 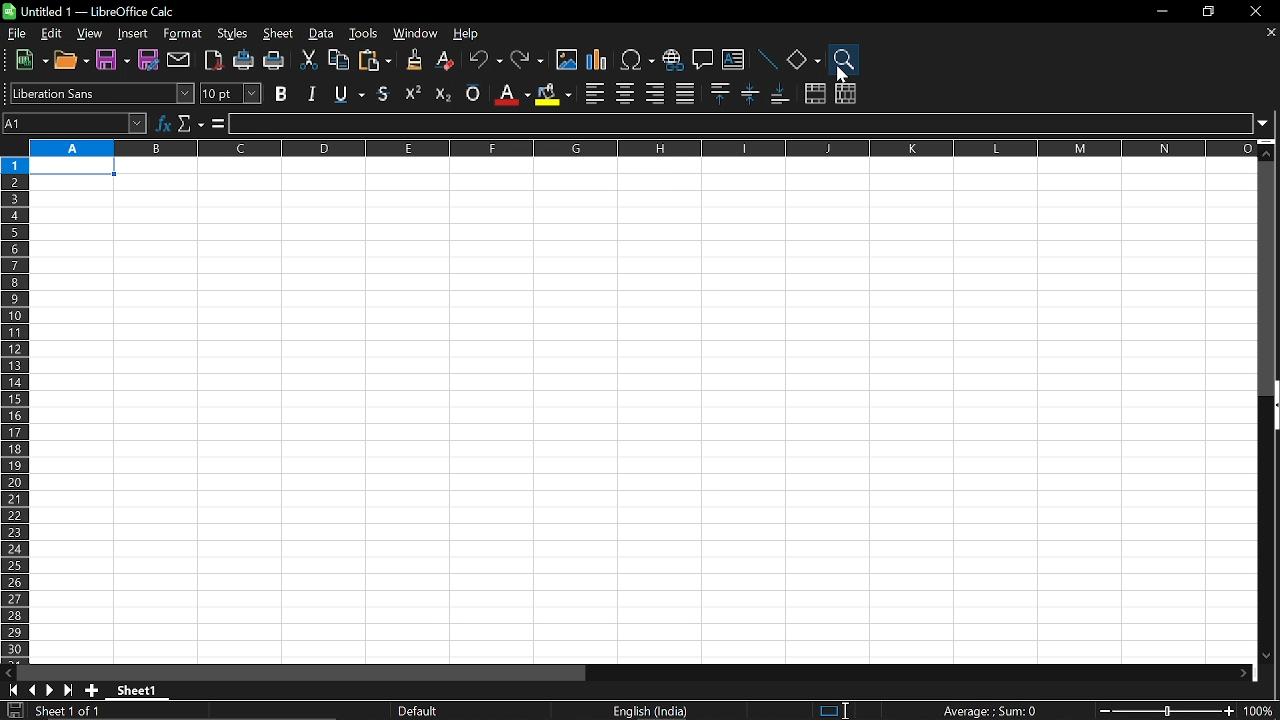 What do you see at coordinates (8, 671) in the screenshot?
I see `move left` at bounding box center [8, 671].